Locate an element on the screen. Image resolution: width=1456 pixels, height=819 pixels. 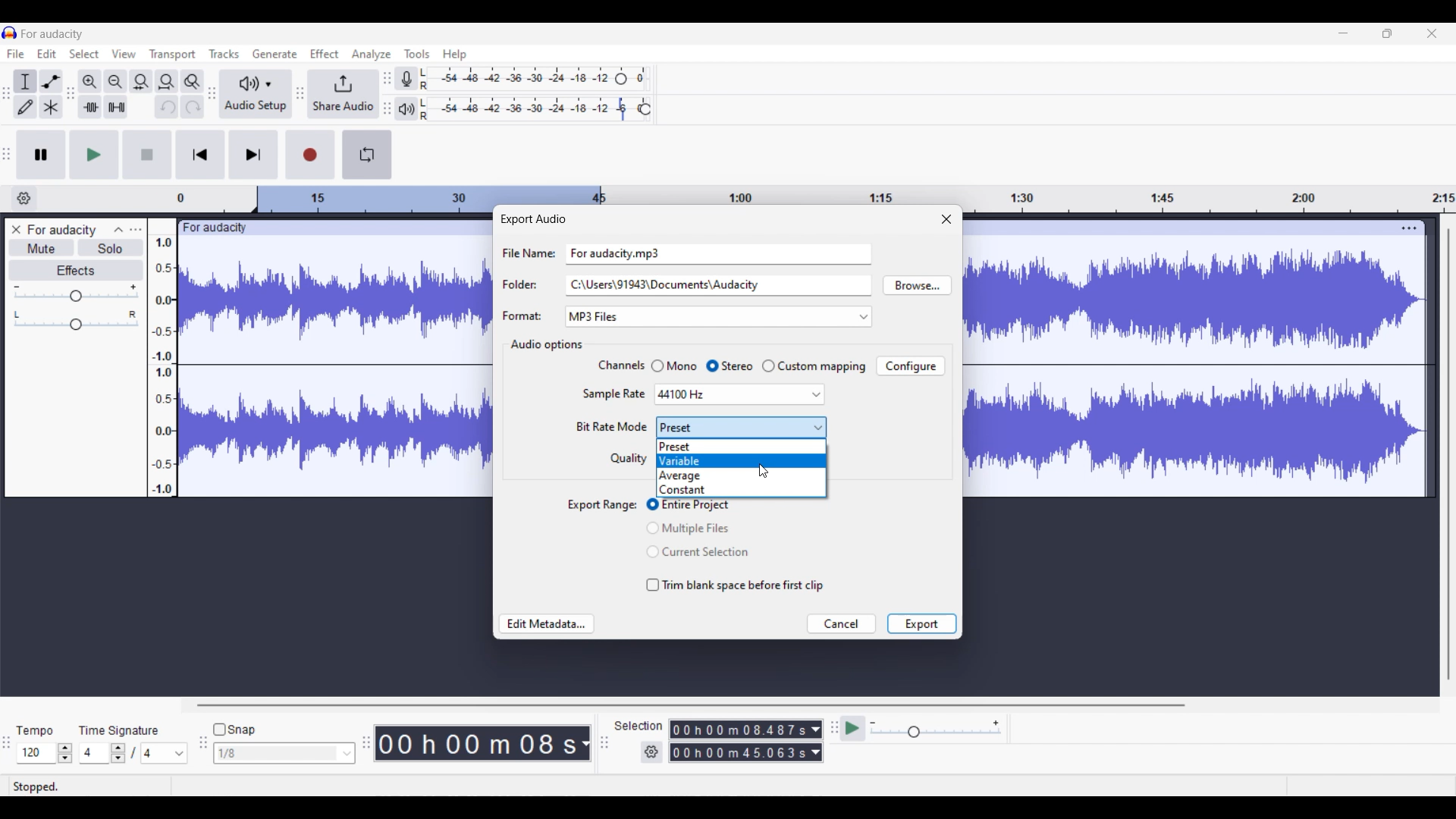
Playback level is located at coordinates (526, 109).